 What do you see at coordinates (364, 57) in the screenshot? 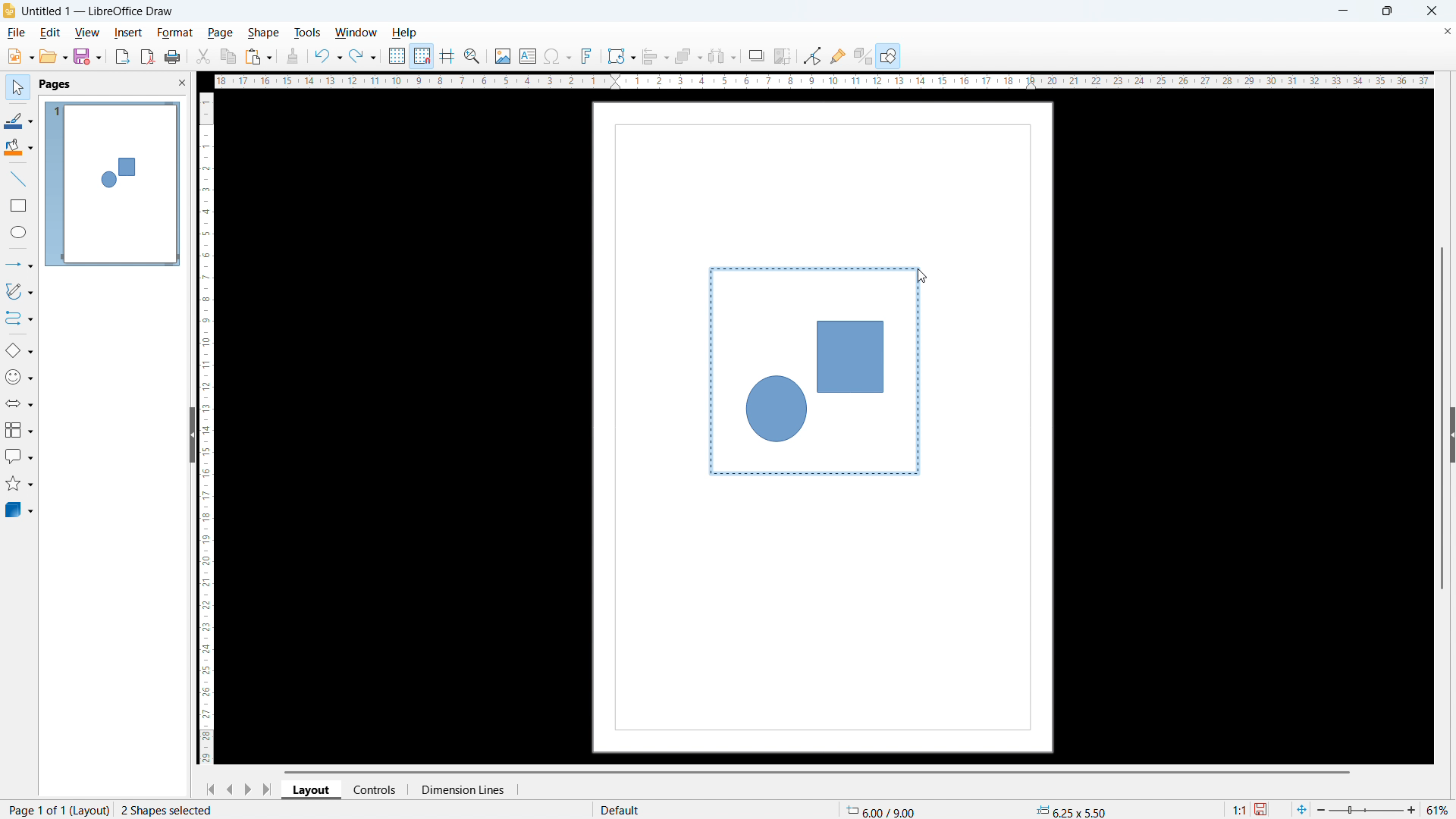
I see `redo` at bounding box center [364, 57].